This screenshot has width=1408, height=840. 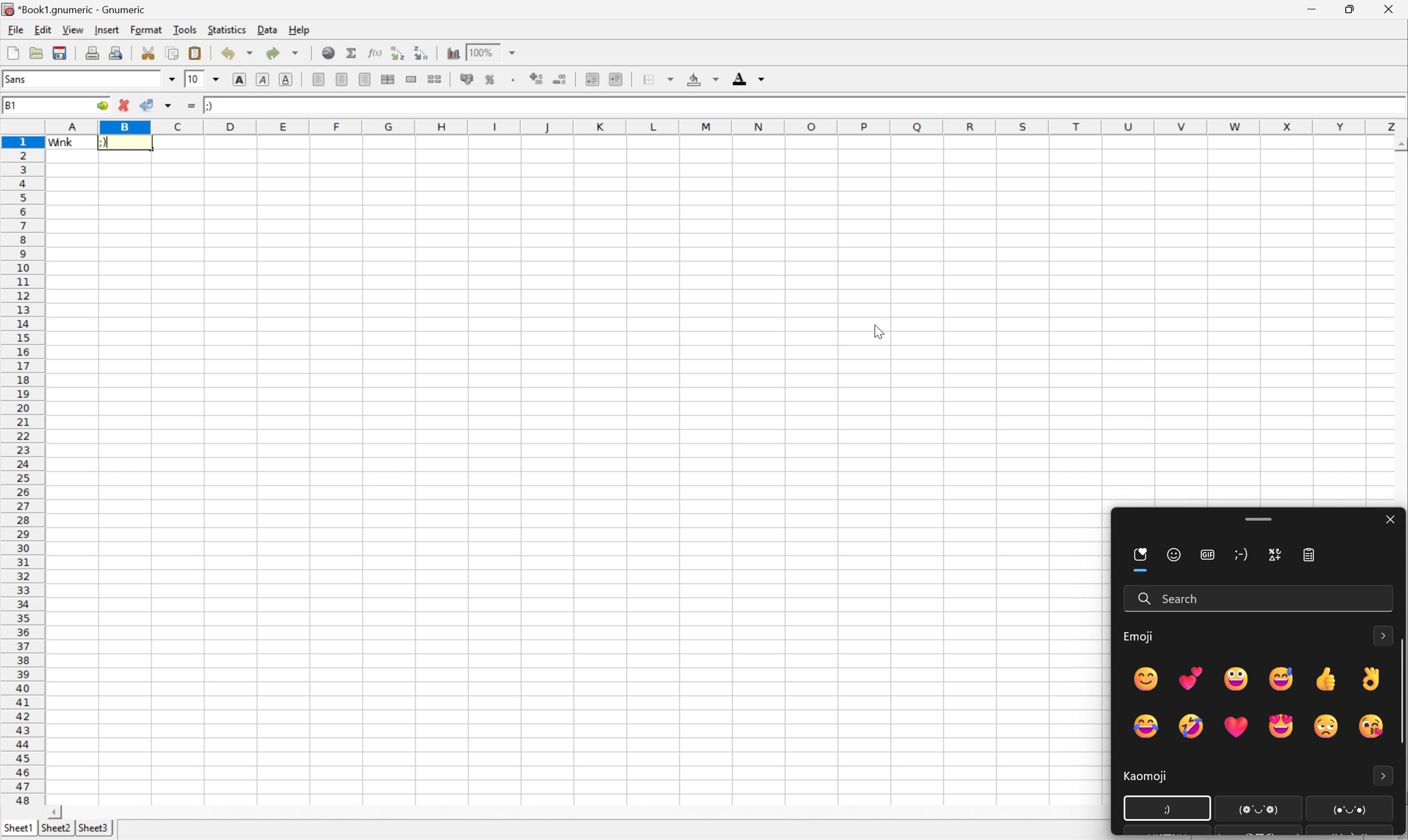 I want to click on accept changes, so click(x=146, y=104).